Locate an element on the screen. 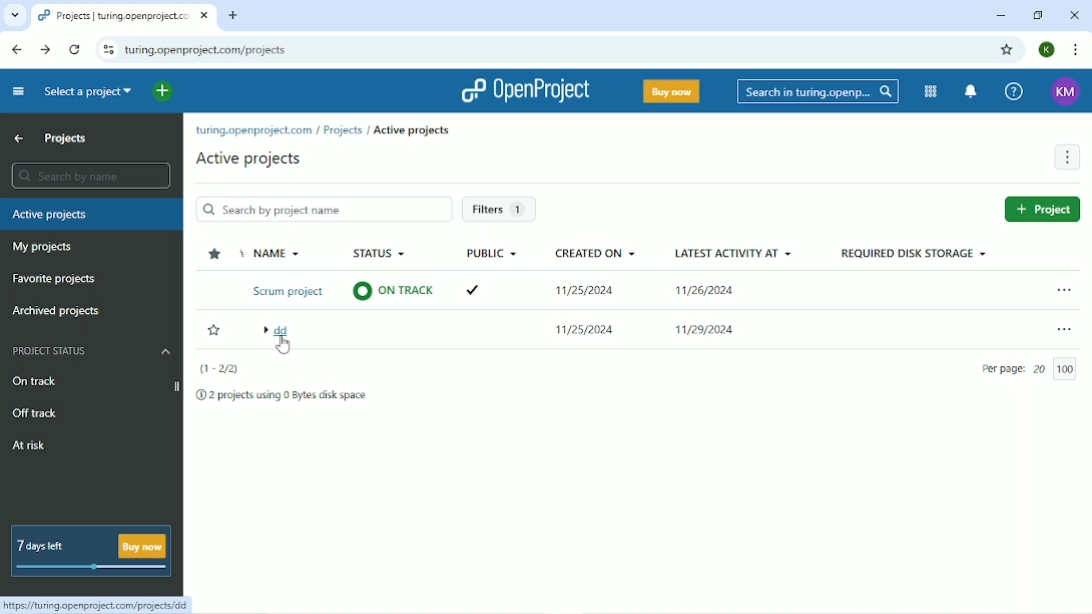 This screenshot has width=1092, height=614. Collapse project menu is located at coordinates (17, 93).